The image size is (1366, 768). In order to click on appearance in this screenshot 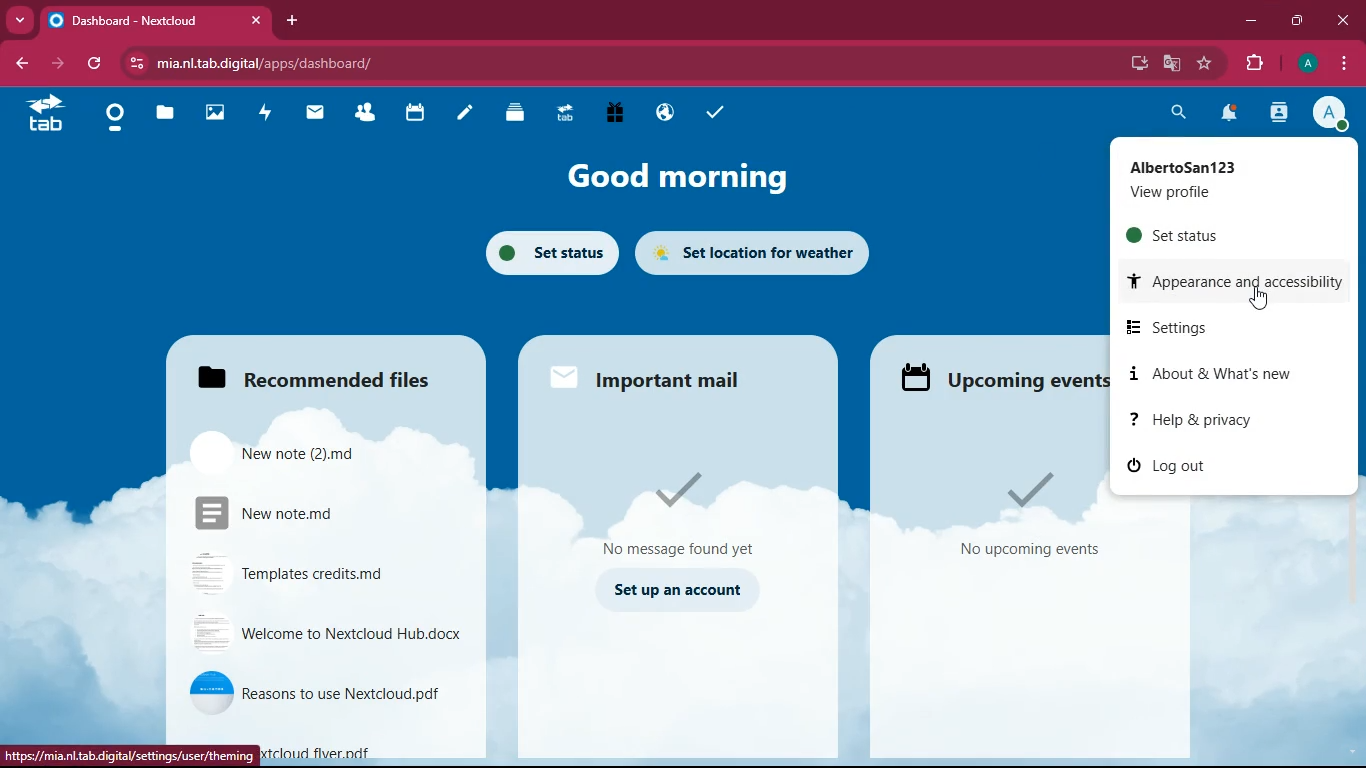, I will do `click(1237, 279)`.